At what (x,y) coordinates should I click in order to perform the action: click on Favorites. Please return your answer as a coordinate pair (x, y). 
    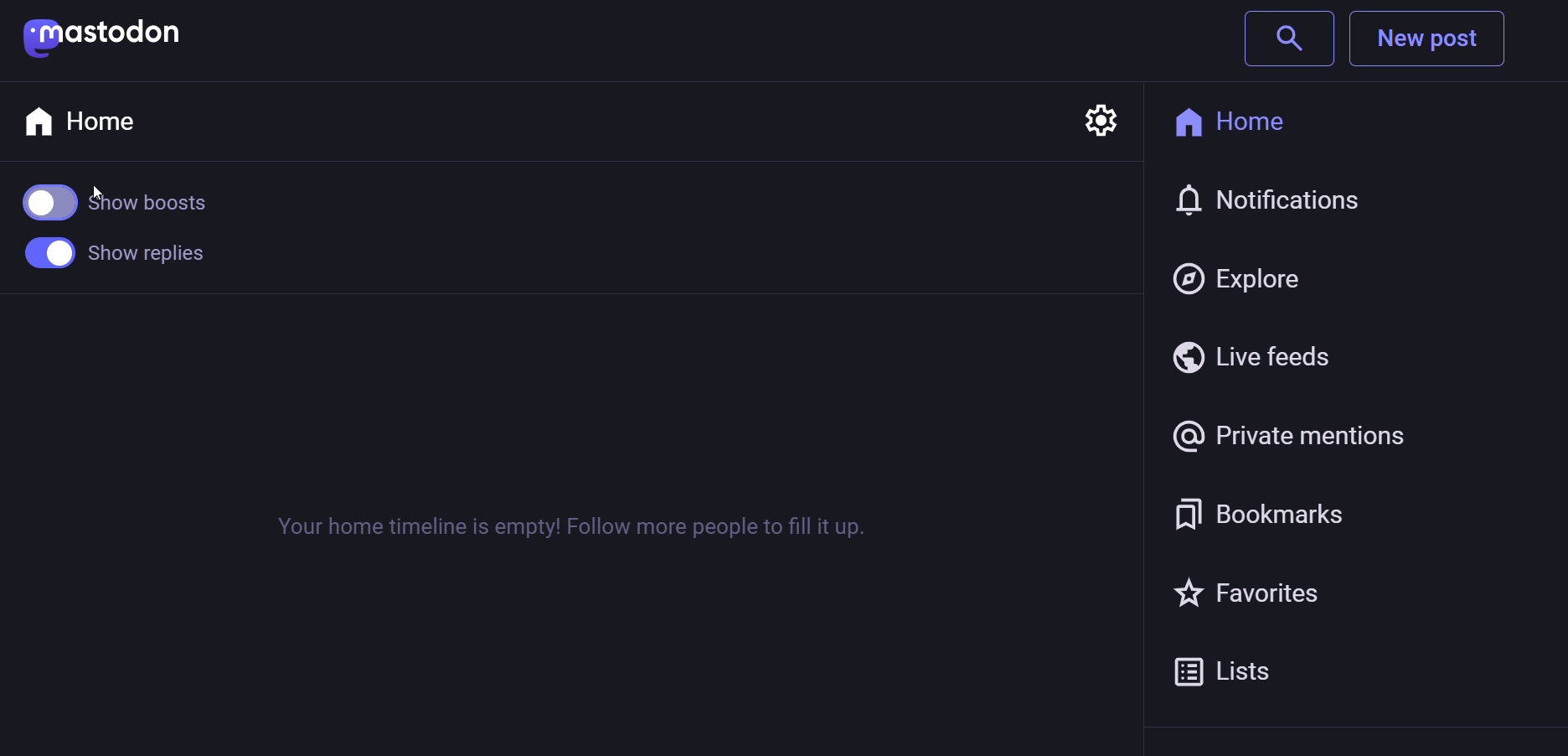
    Looking at the image, I should click on (1274, 597).